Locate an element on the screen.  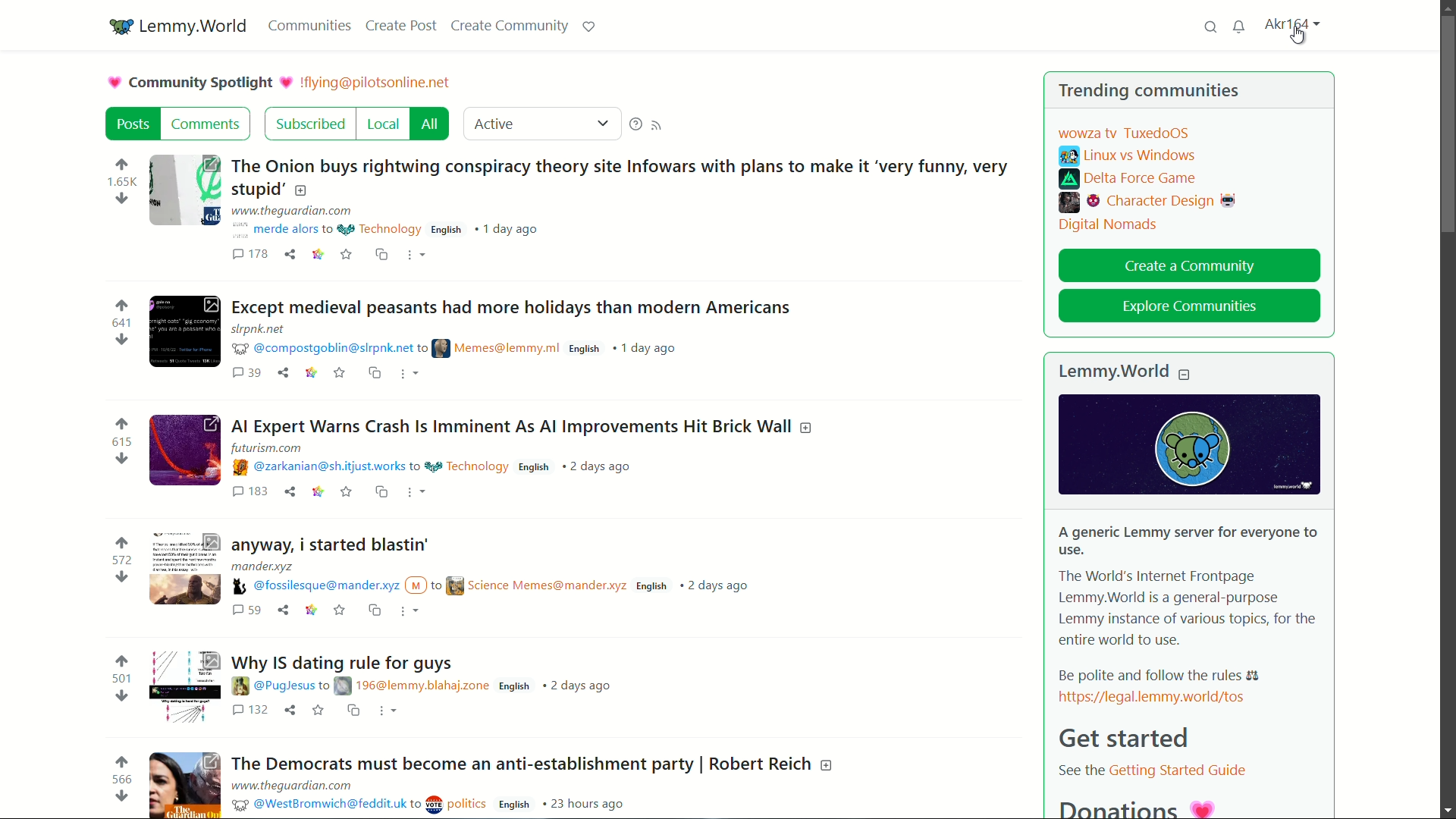
share is located at coordinates (289, 252).